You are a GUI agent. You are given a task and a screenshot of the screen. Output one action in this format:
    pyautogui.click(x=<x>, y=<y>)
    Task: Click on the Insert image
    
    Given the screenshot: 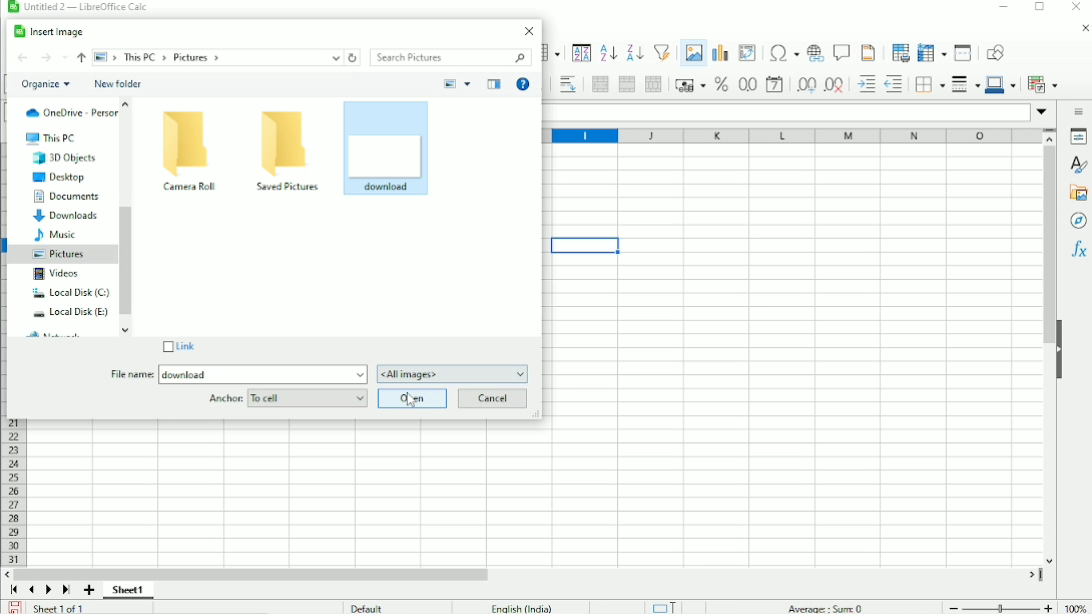 What is the action you would take?
    pyautogui.click(x=691, y=56)
    